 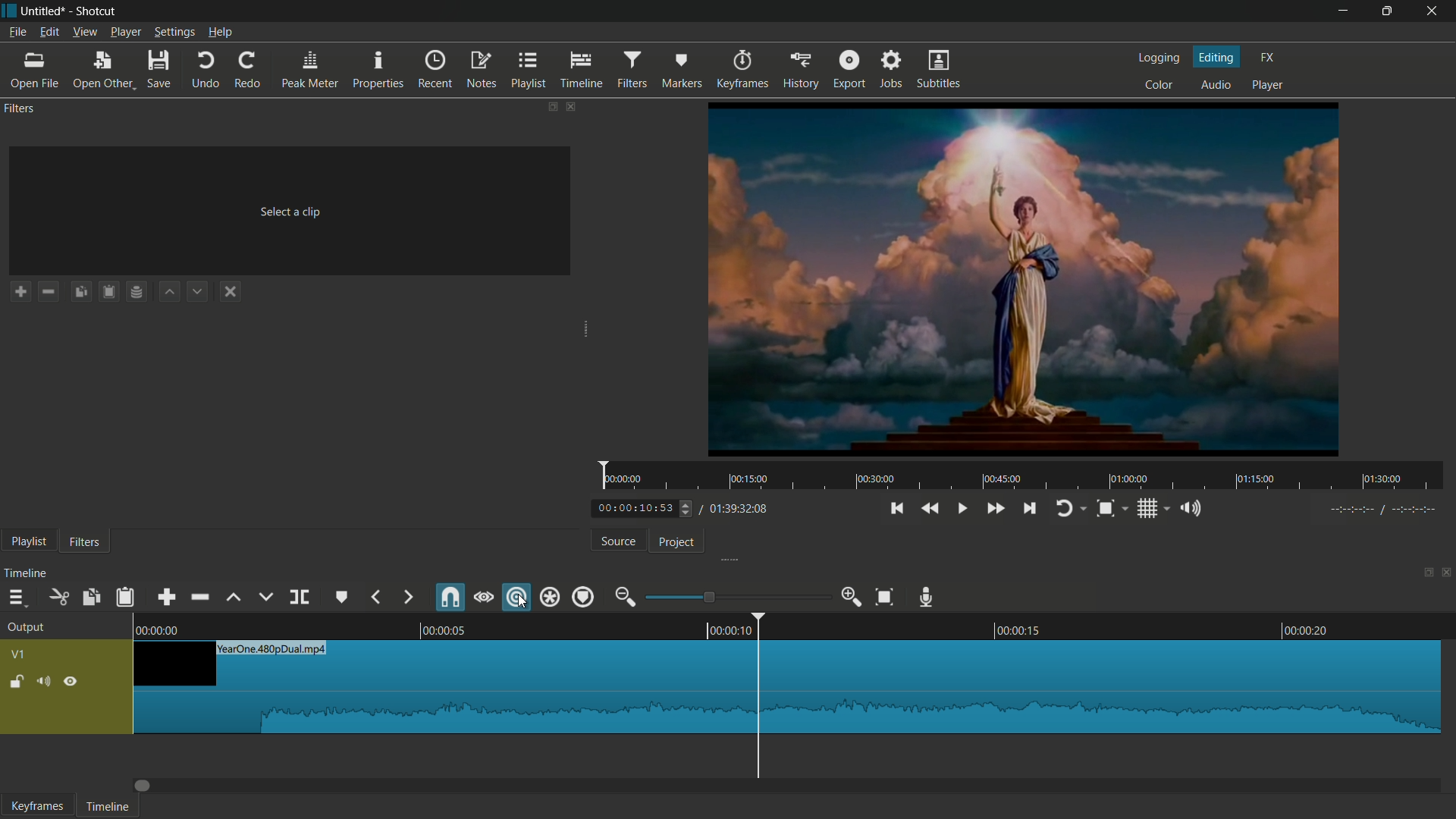 What do you see at coordinates (1018, 629) in the screenshot?
I see `00:00:15` at bounding box center [1018, 629].